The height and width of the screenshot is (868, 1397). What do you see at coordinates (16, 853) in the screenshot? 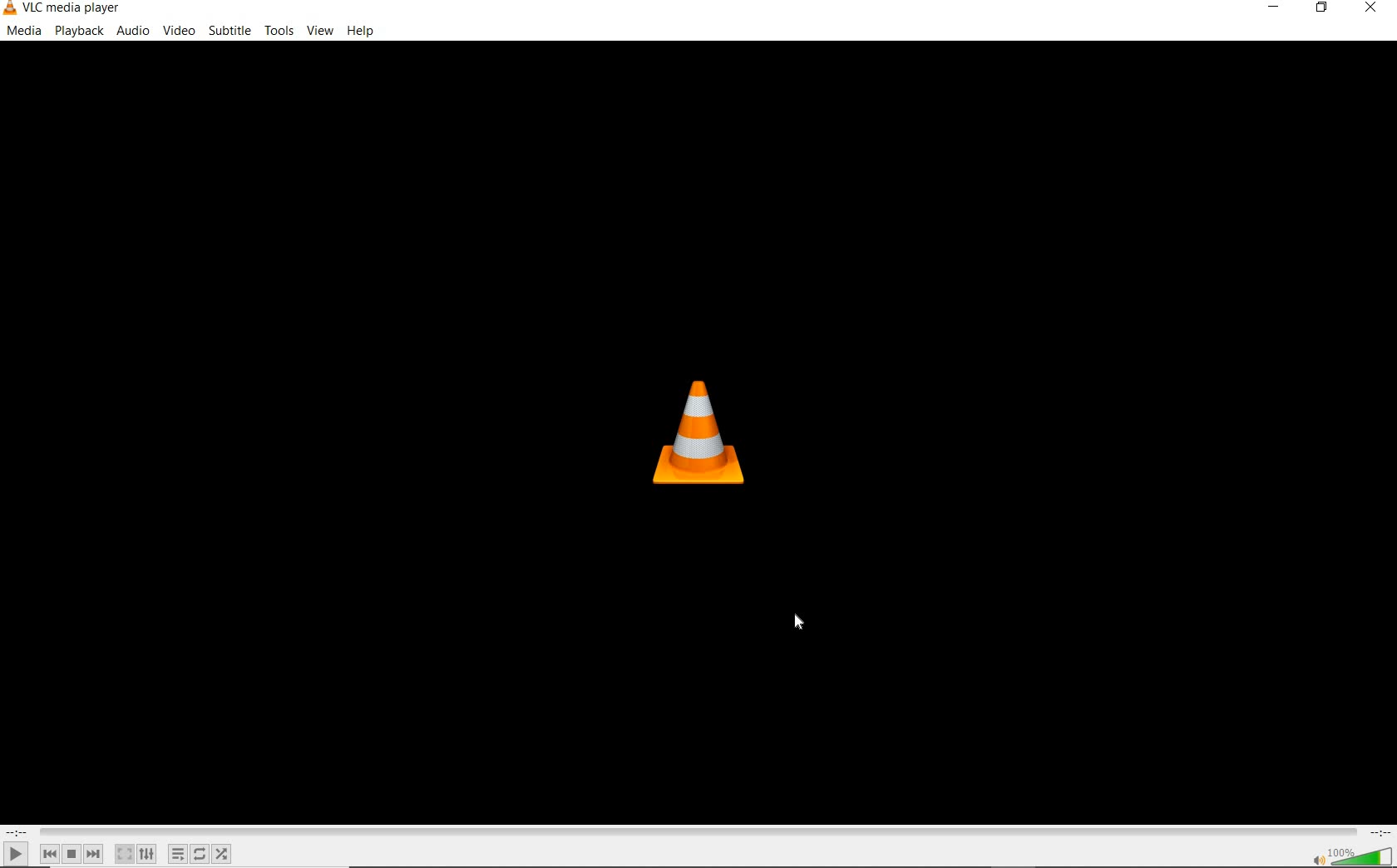
I see `play` at bounding box center [16, 853].